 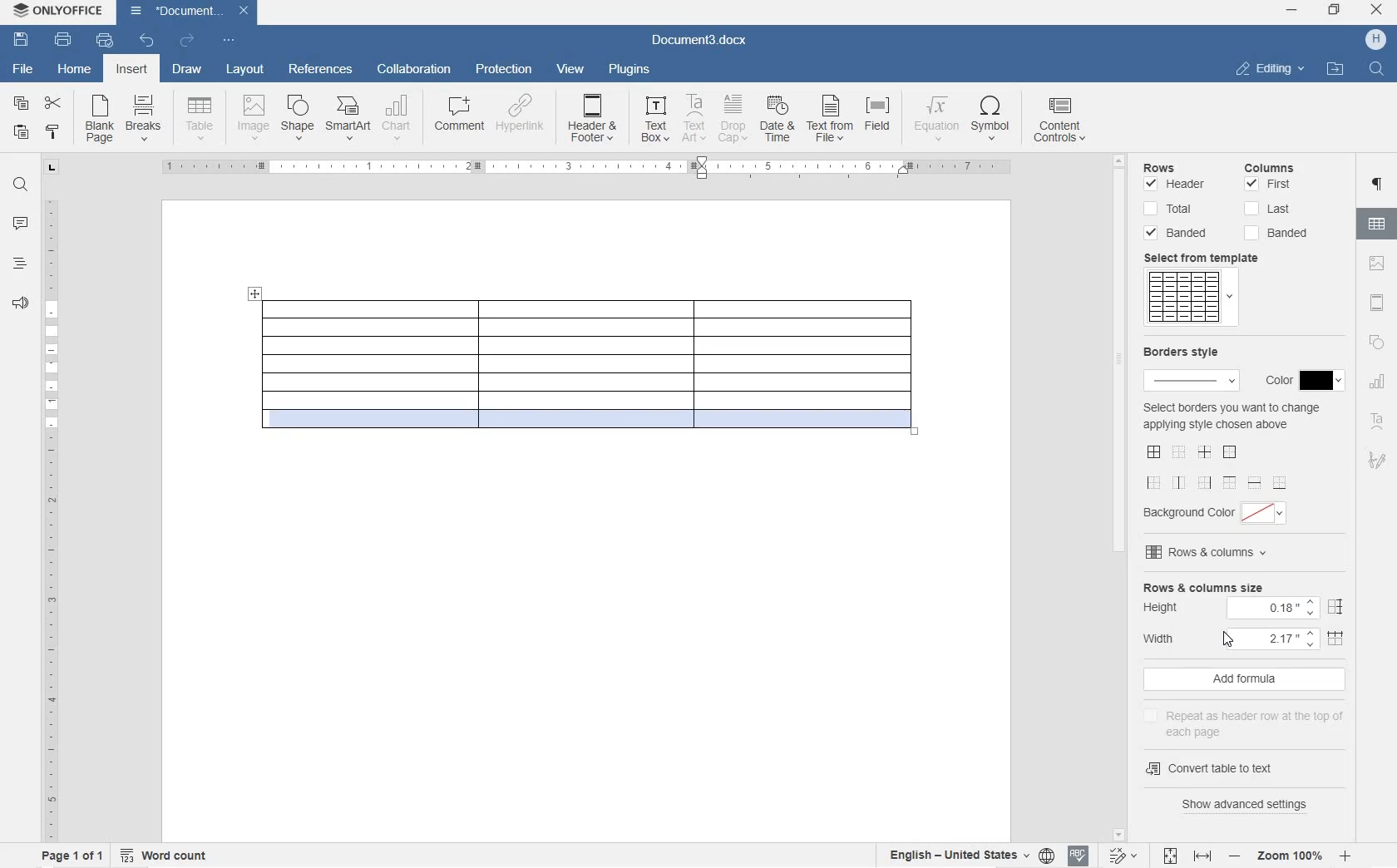 I want to click on repeat as header row at the top of each page, so click(x=1250, y=721).